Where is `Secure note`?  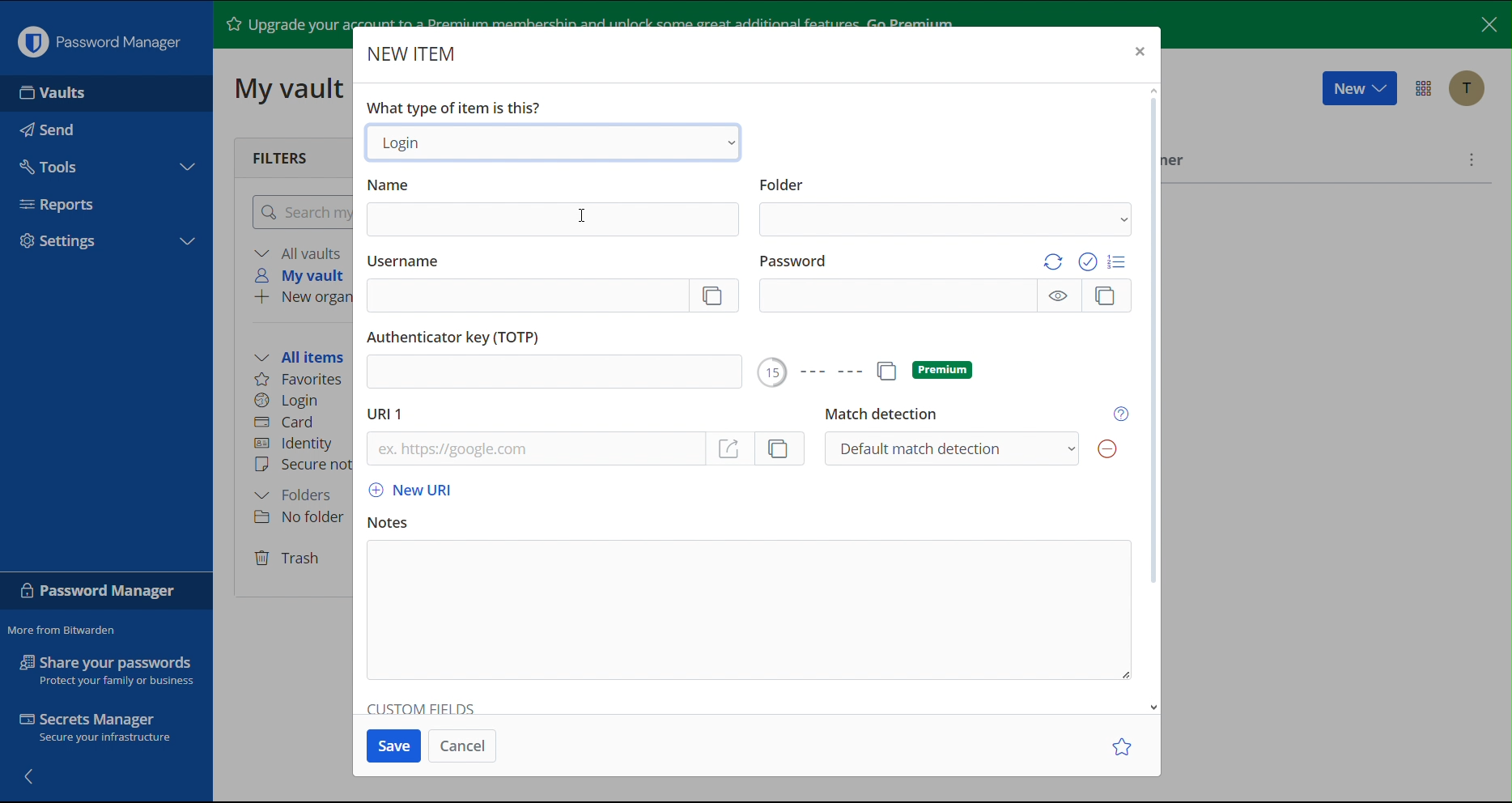 Secure note is located at coordinates (302, 462).